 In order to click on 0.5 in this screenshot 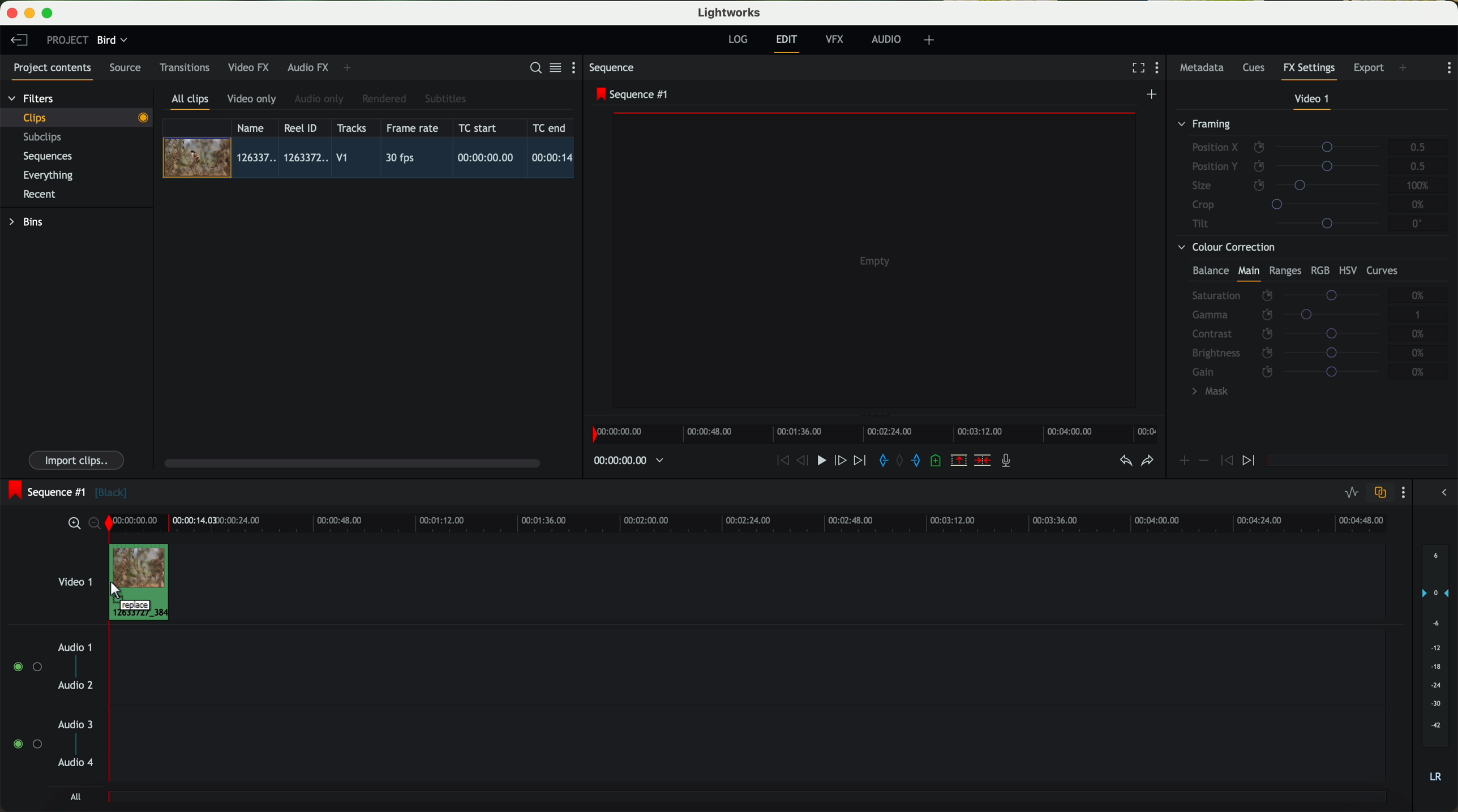, I will do `click(1417, 166)`.